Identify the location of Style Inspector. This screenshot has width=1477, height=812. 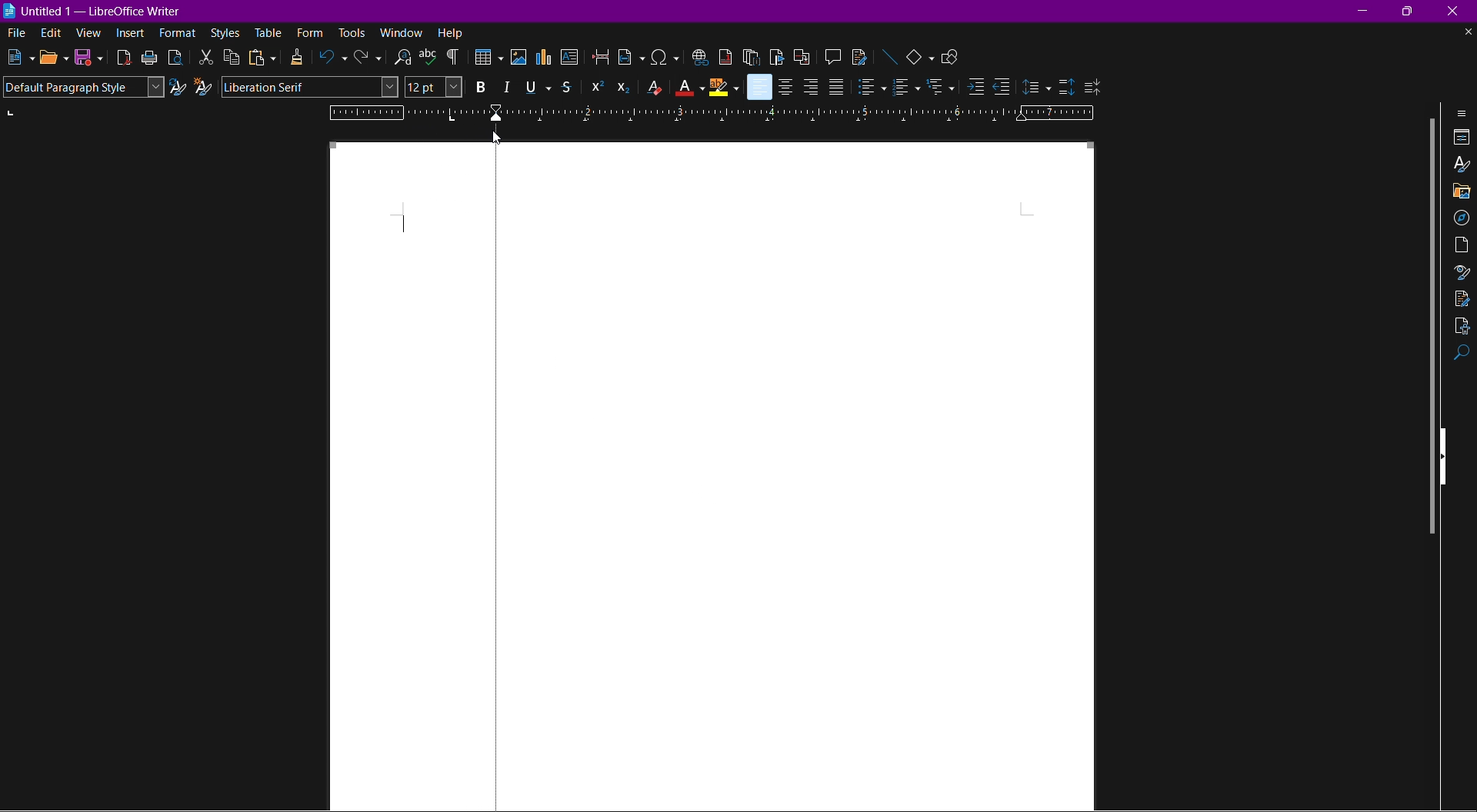
(1460, 273).